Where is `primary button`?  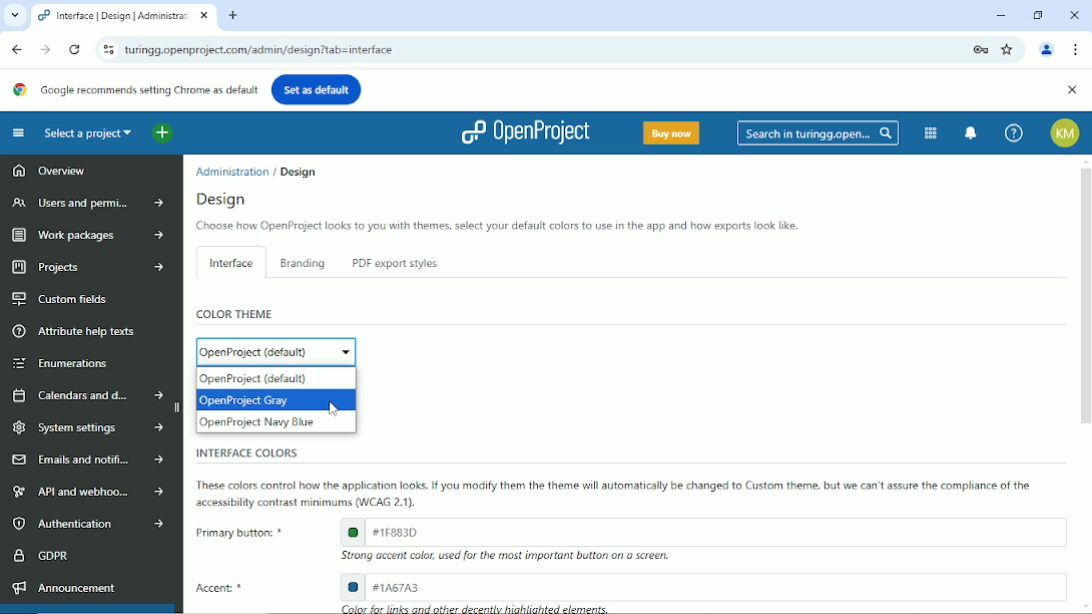
primary button is located at coordinates (702, 531).